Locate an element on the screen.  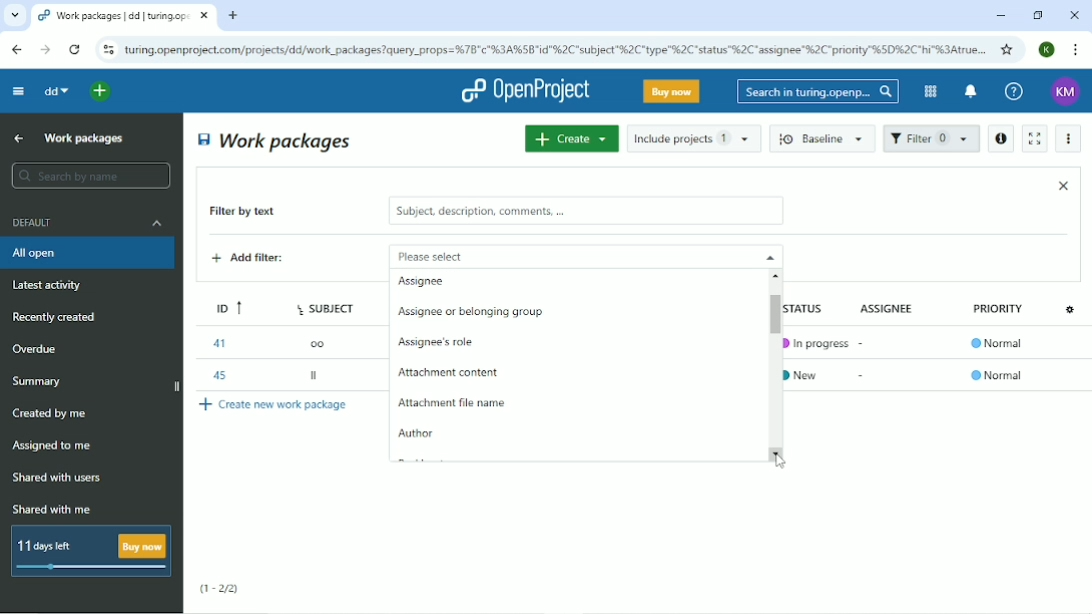
Assignee is located at coordinates (423, 282).